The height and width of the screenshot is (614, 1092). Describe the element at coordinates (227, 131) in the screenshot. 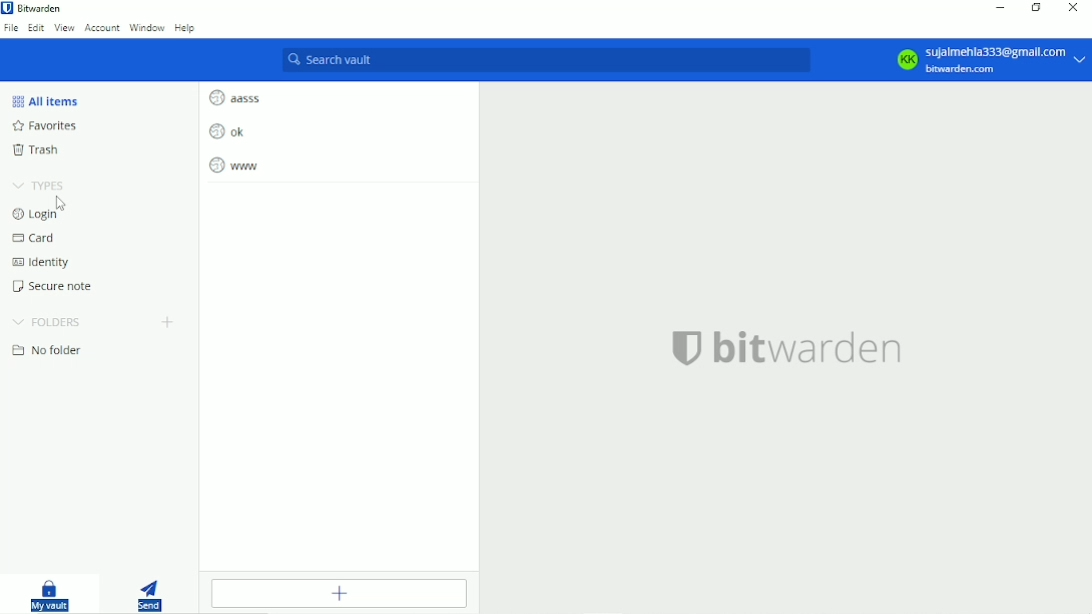

I see `ok` at that location.